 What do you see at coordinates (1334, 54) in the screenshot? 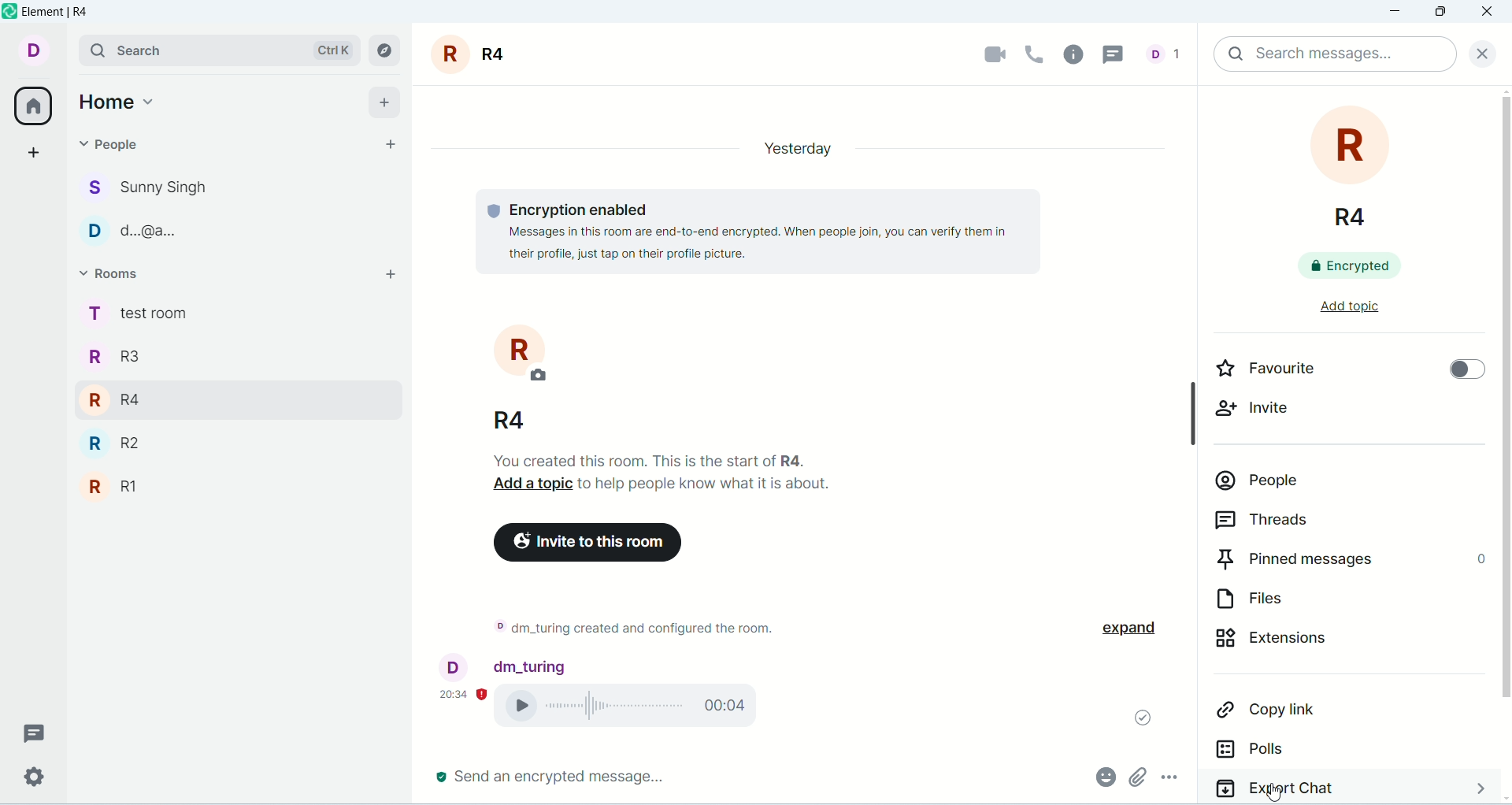
I see `search message` at bounding box center [1334, 54].